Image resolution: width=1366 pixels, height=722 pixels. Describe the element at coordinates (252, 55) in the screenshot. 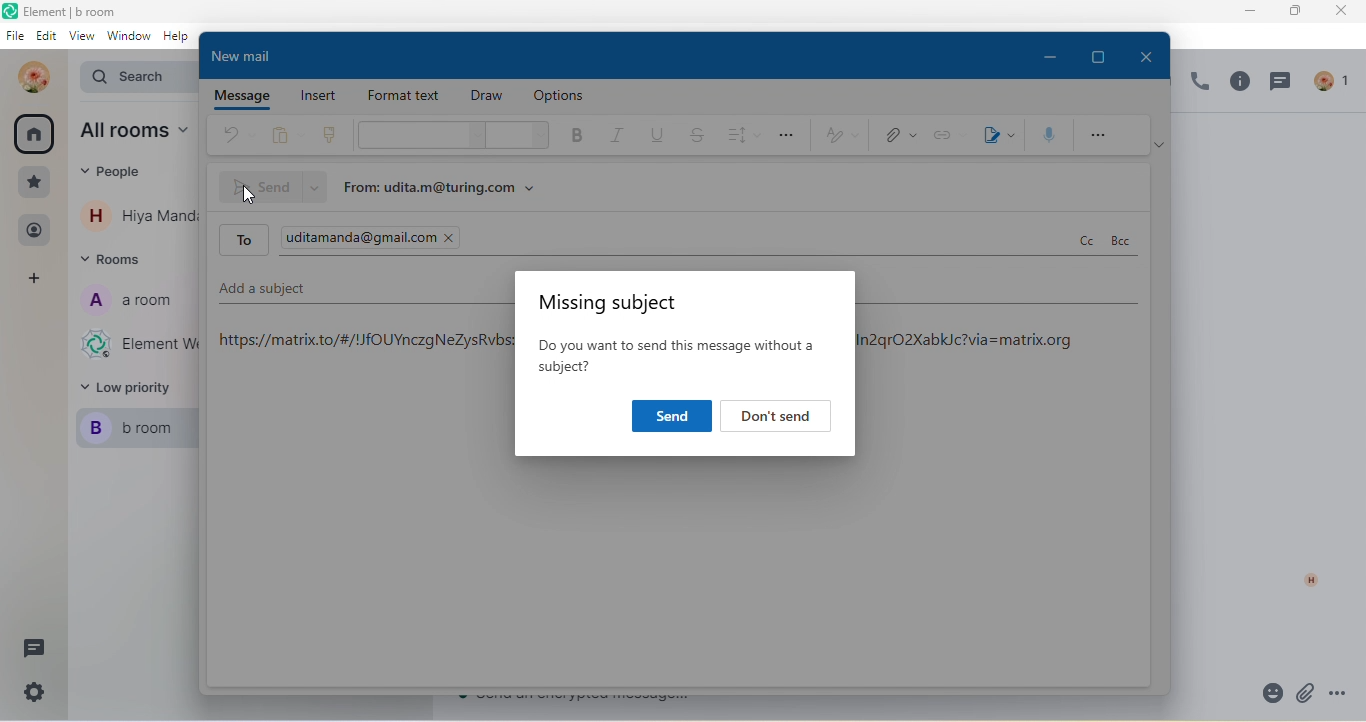

I see `new mail` at that location.